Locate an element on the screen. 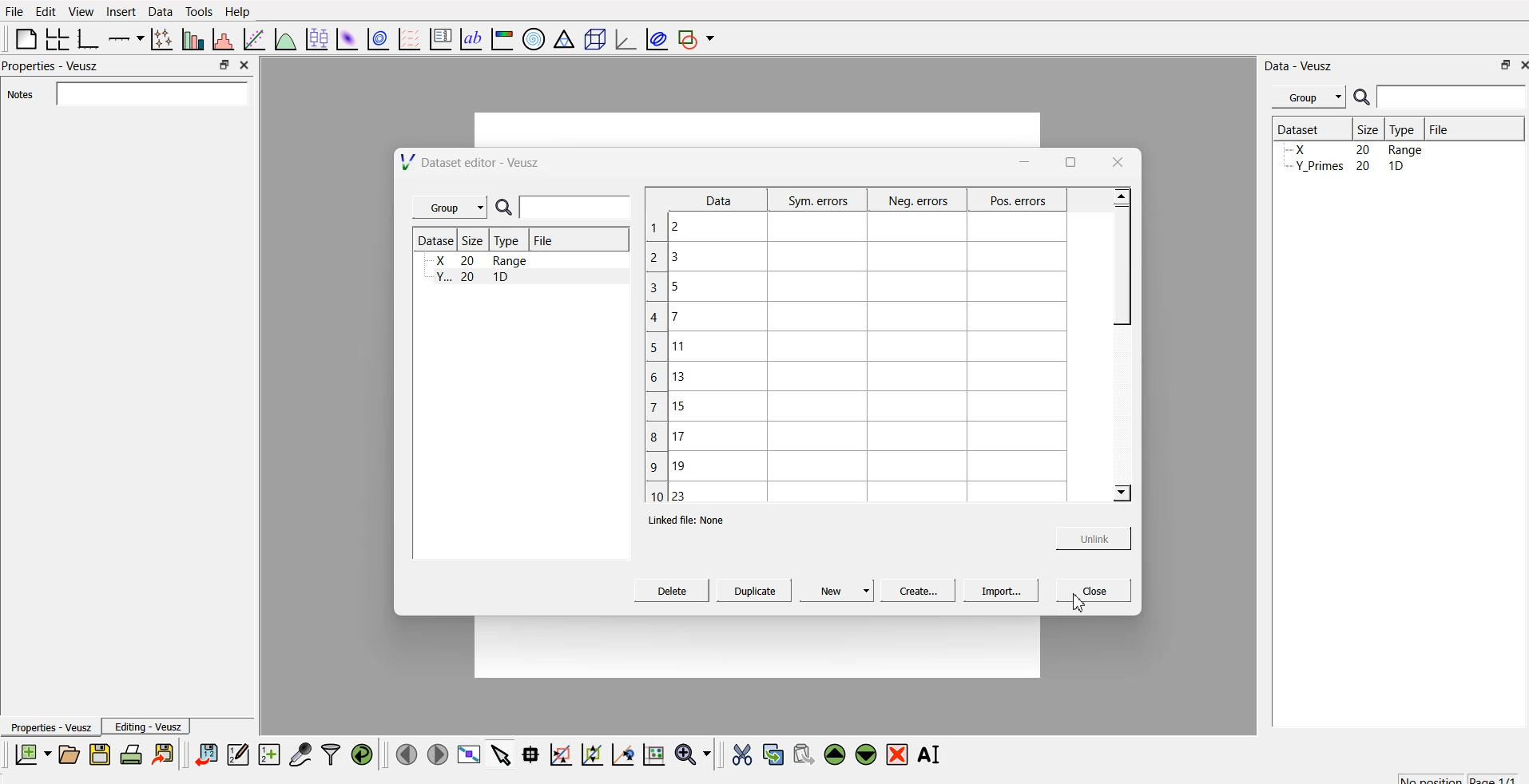  Neg. errors is located at coordinates (916, 201).